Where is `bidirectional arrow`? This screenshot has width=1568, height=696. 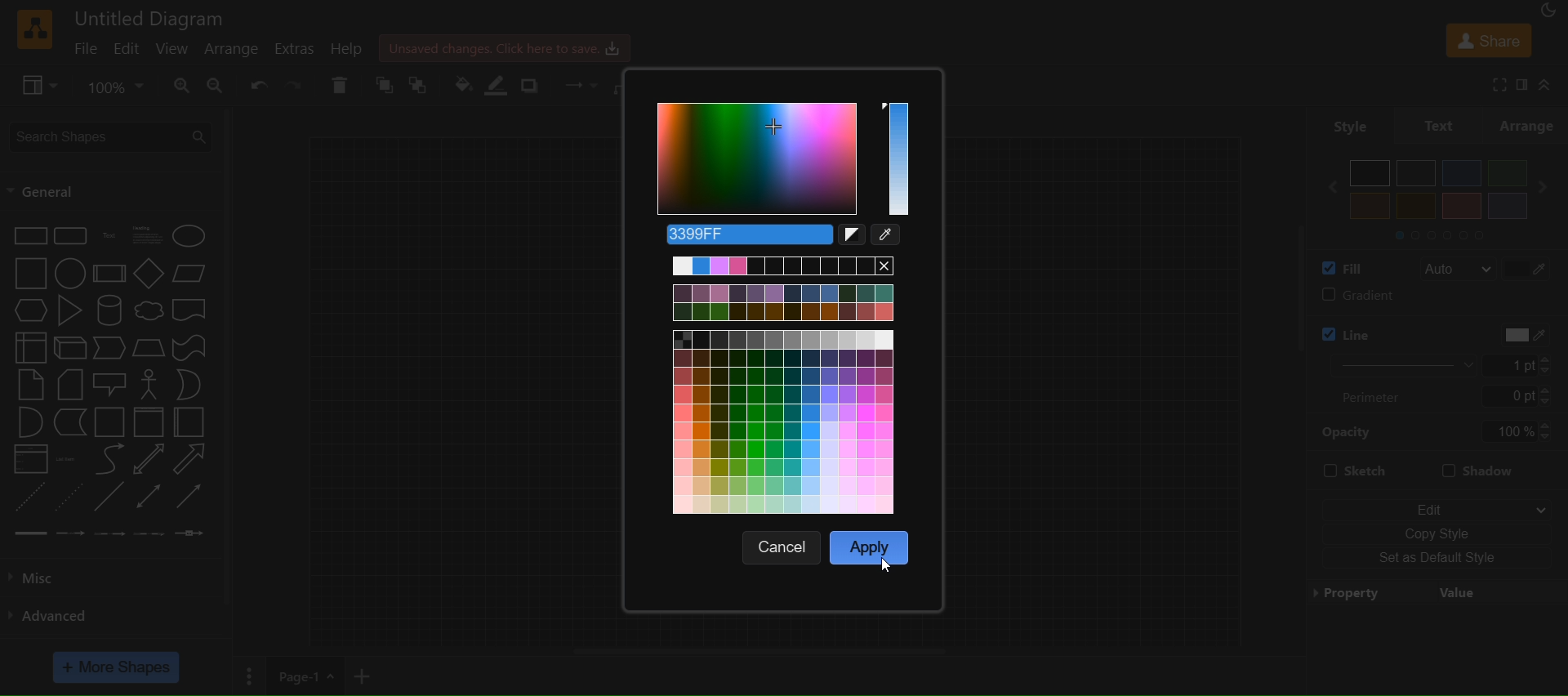 bidirectional arrow is located at coordinates (145, 460).